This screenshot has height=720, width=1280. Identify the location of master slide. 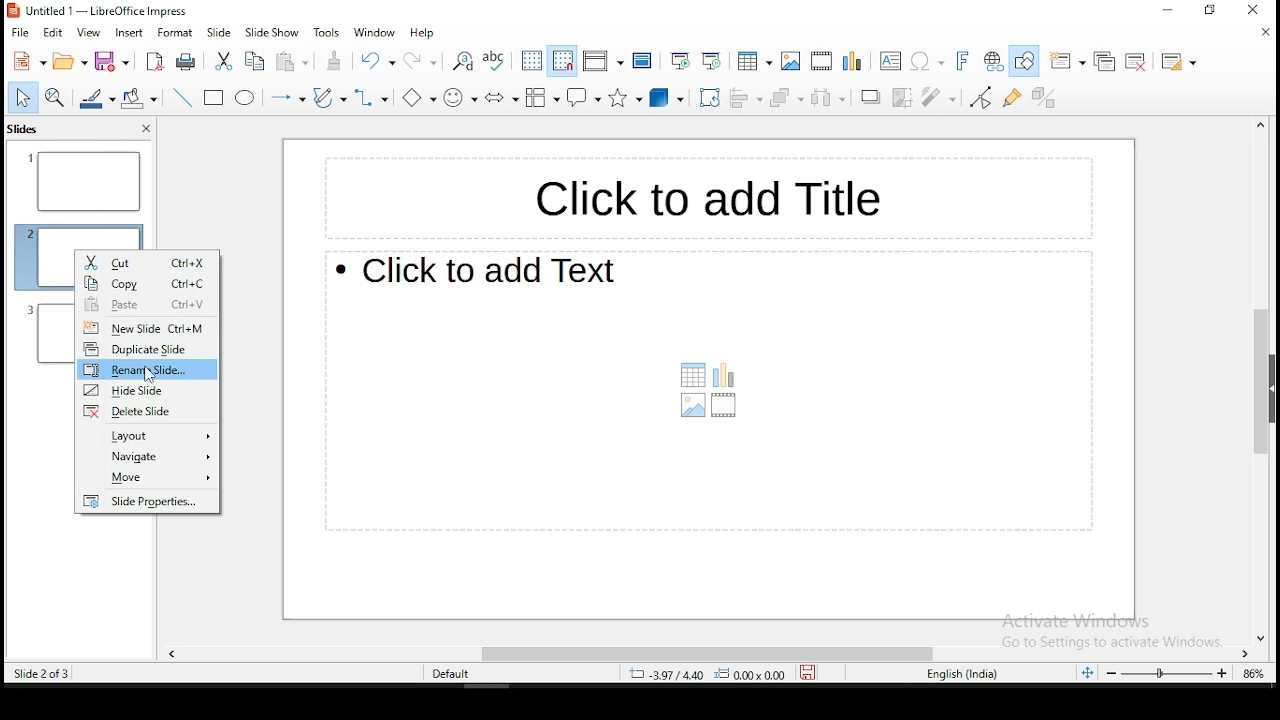
(644, 60).